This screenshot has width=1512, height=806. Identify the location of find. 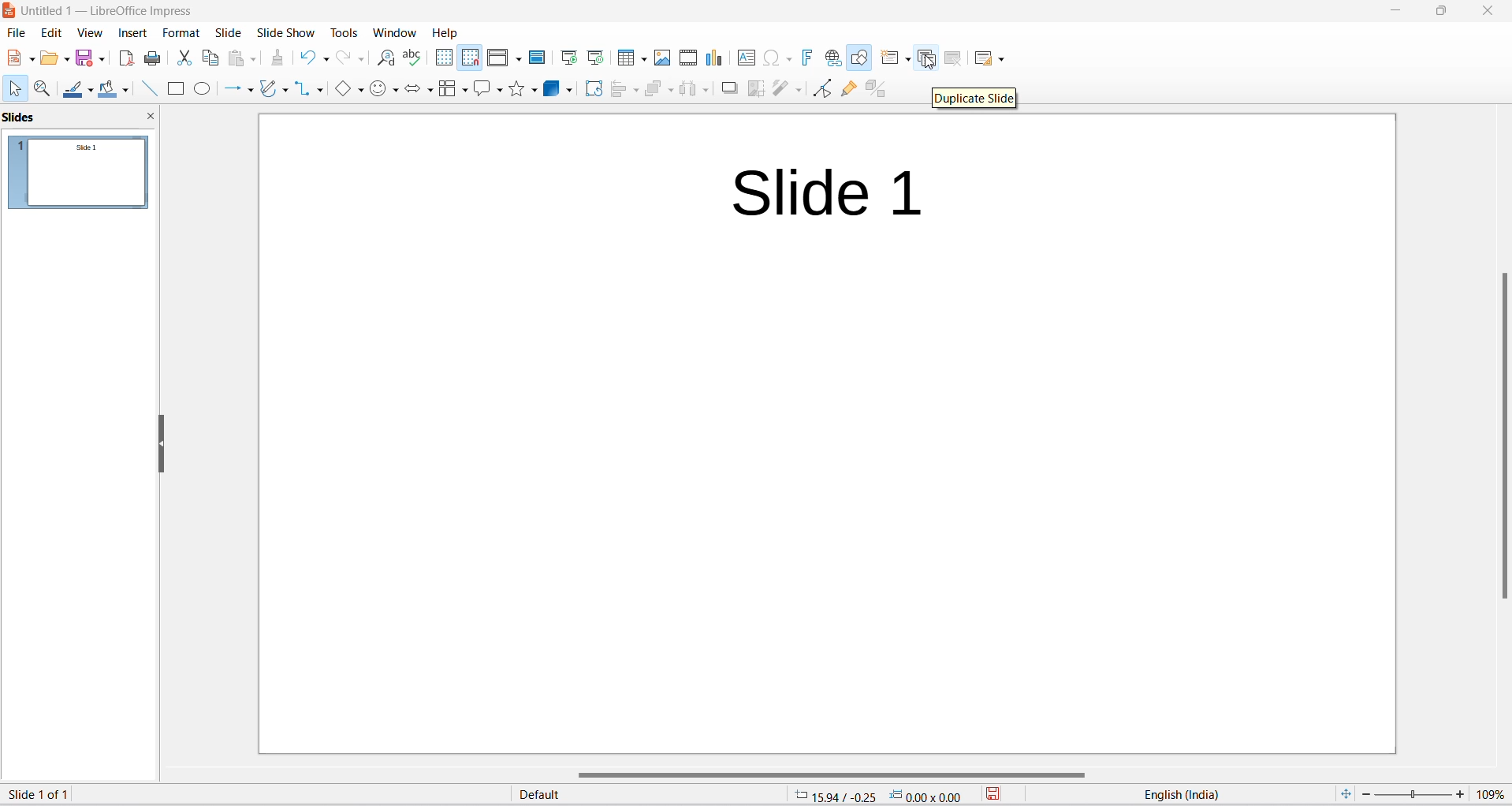
(385, 58).